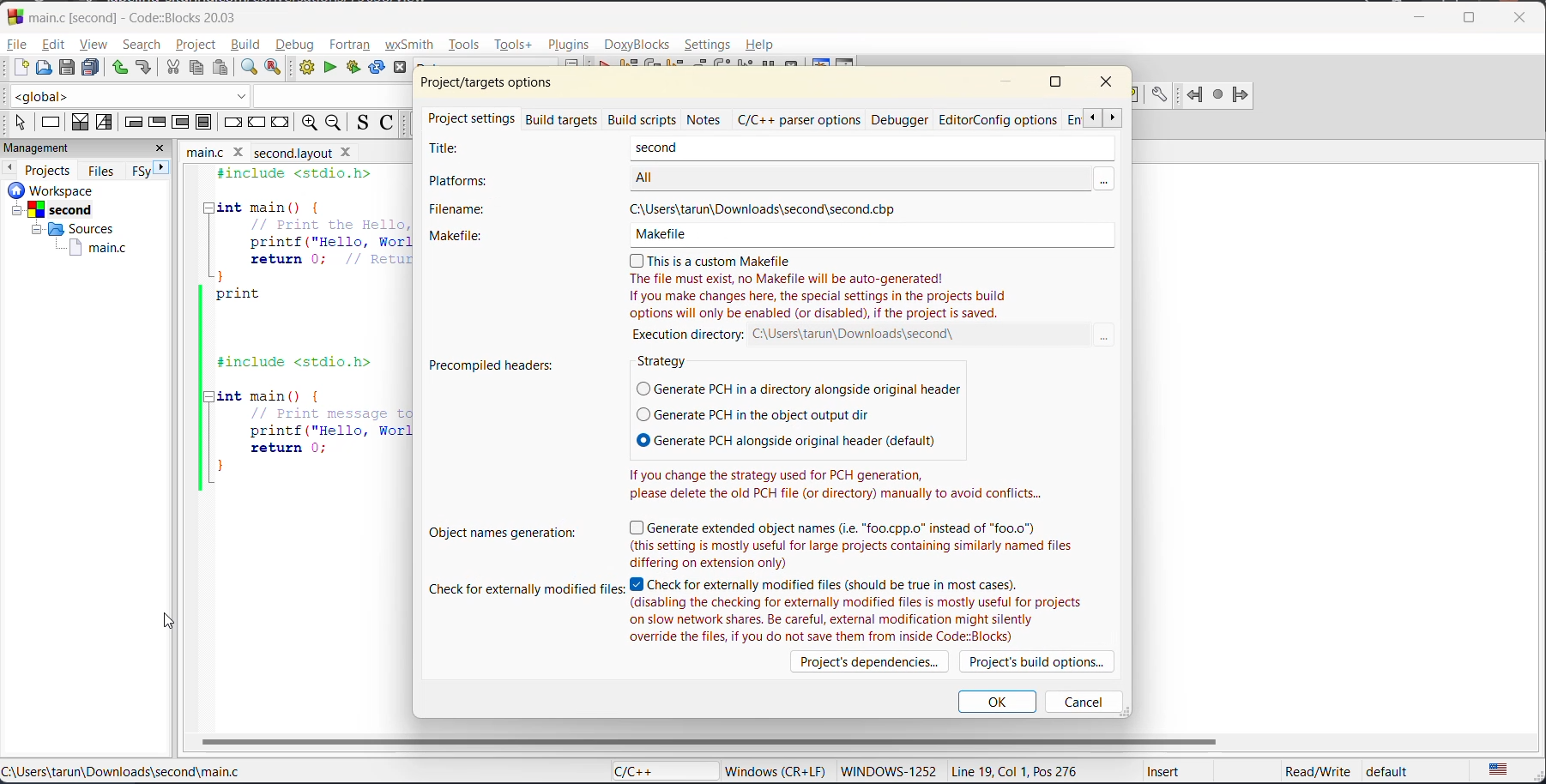 The width and height of the screenshot is (1546, 784). What do you see at coordinates (162, 121) in the screenshot?
I see `exit condition loop` at bounding box center [162, 121].